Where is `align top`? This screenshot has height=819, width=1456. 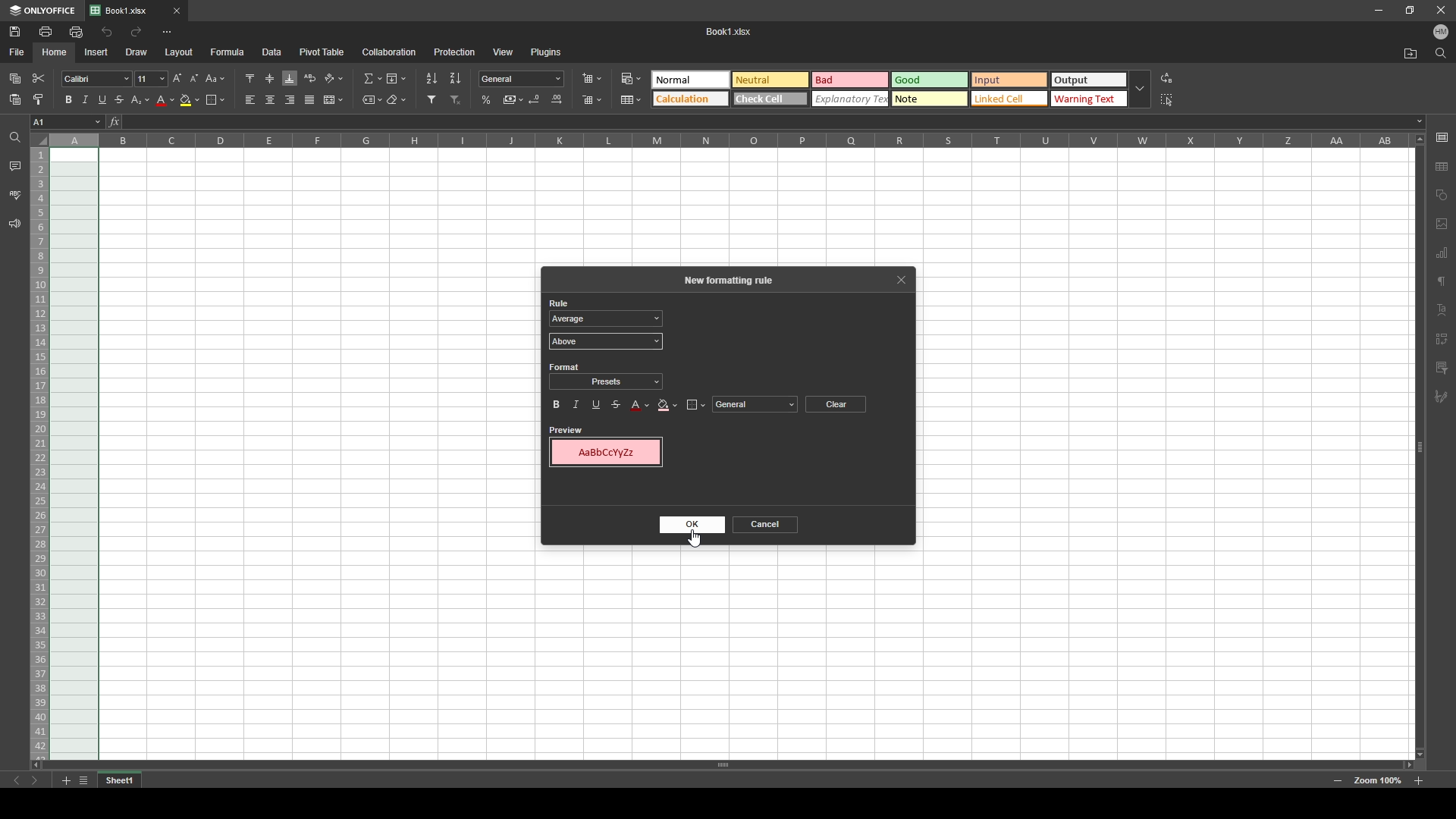 align top is located at coordinates (250, 77).